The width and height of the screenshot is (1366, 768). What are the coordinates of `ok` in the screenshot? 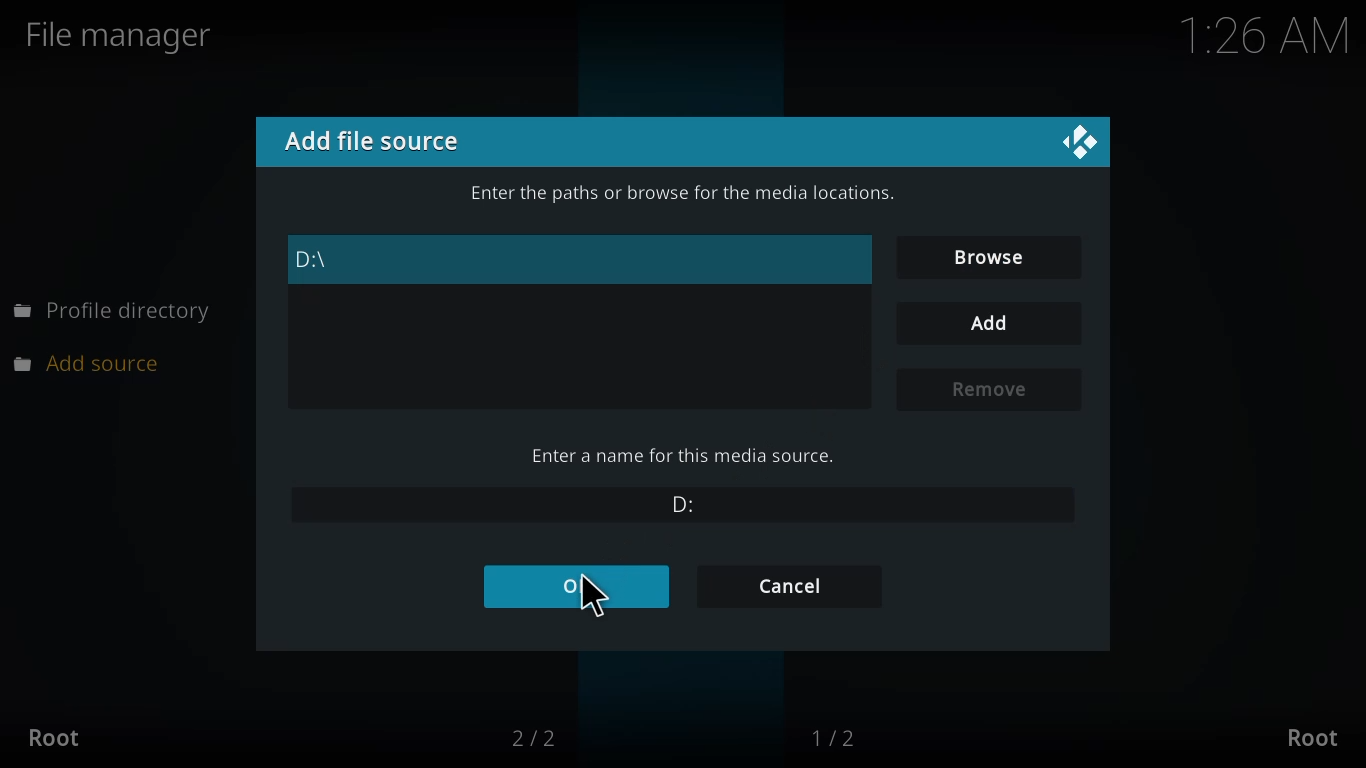 It's located at (577, 587).